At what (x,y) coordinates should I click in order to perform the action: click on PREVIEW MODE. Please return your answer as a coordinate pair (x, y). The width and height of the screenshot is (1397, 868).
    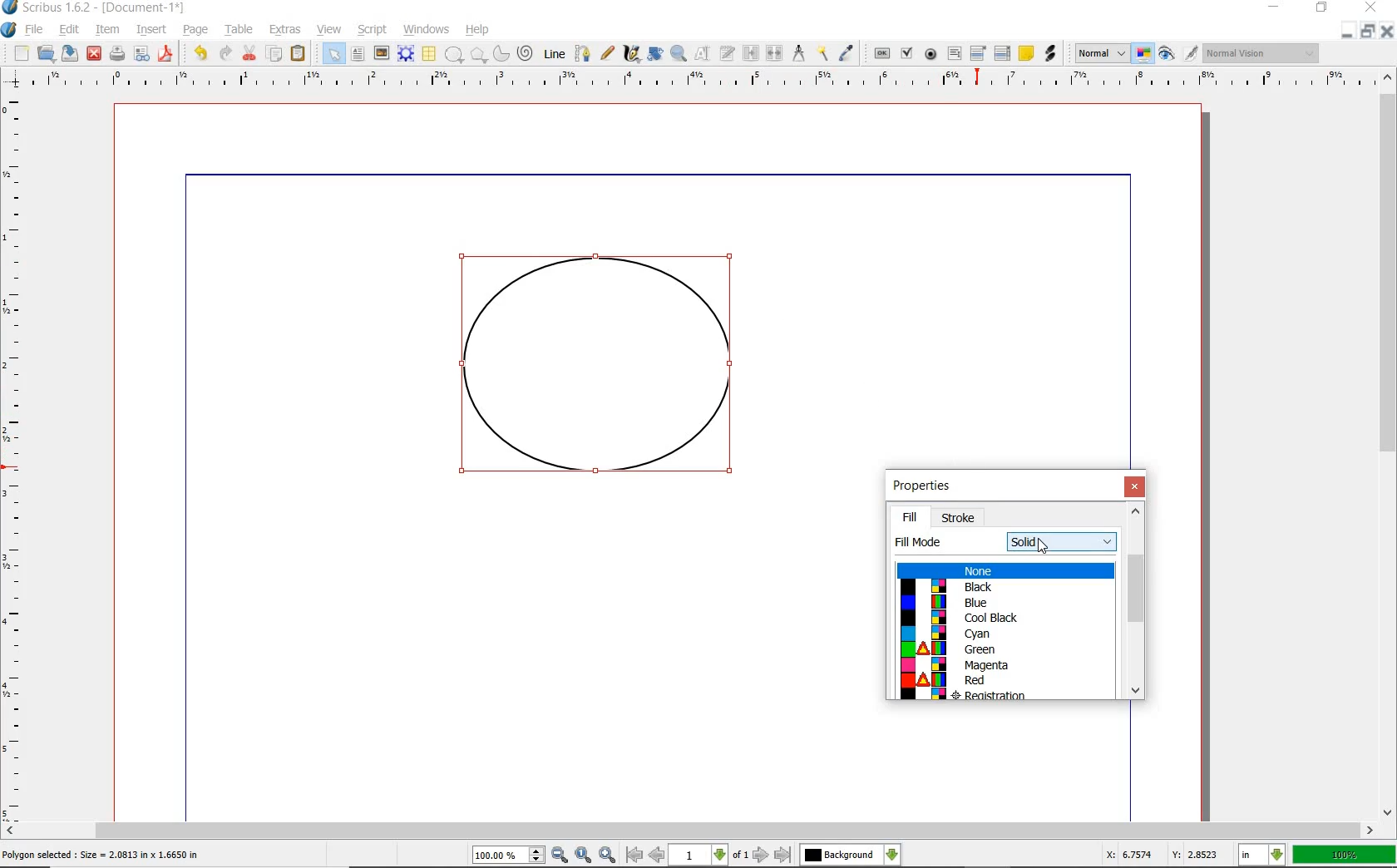
    Looking at the image, I should click on (1165, 54).